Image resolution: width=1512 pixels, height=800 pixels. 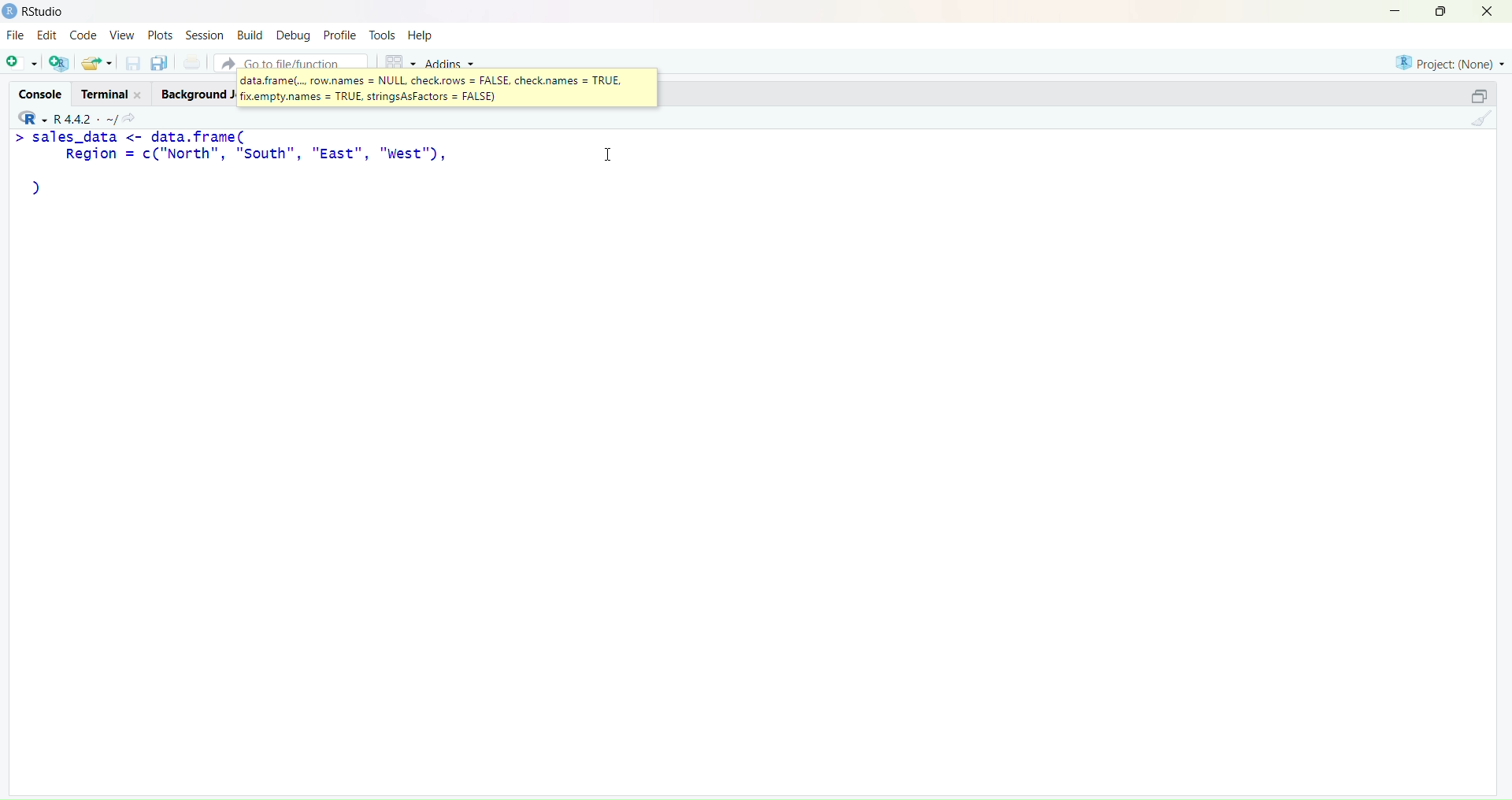 I want to click on save as, so click(x=159, y=64).